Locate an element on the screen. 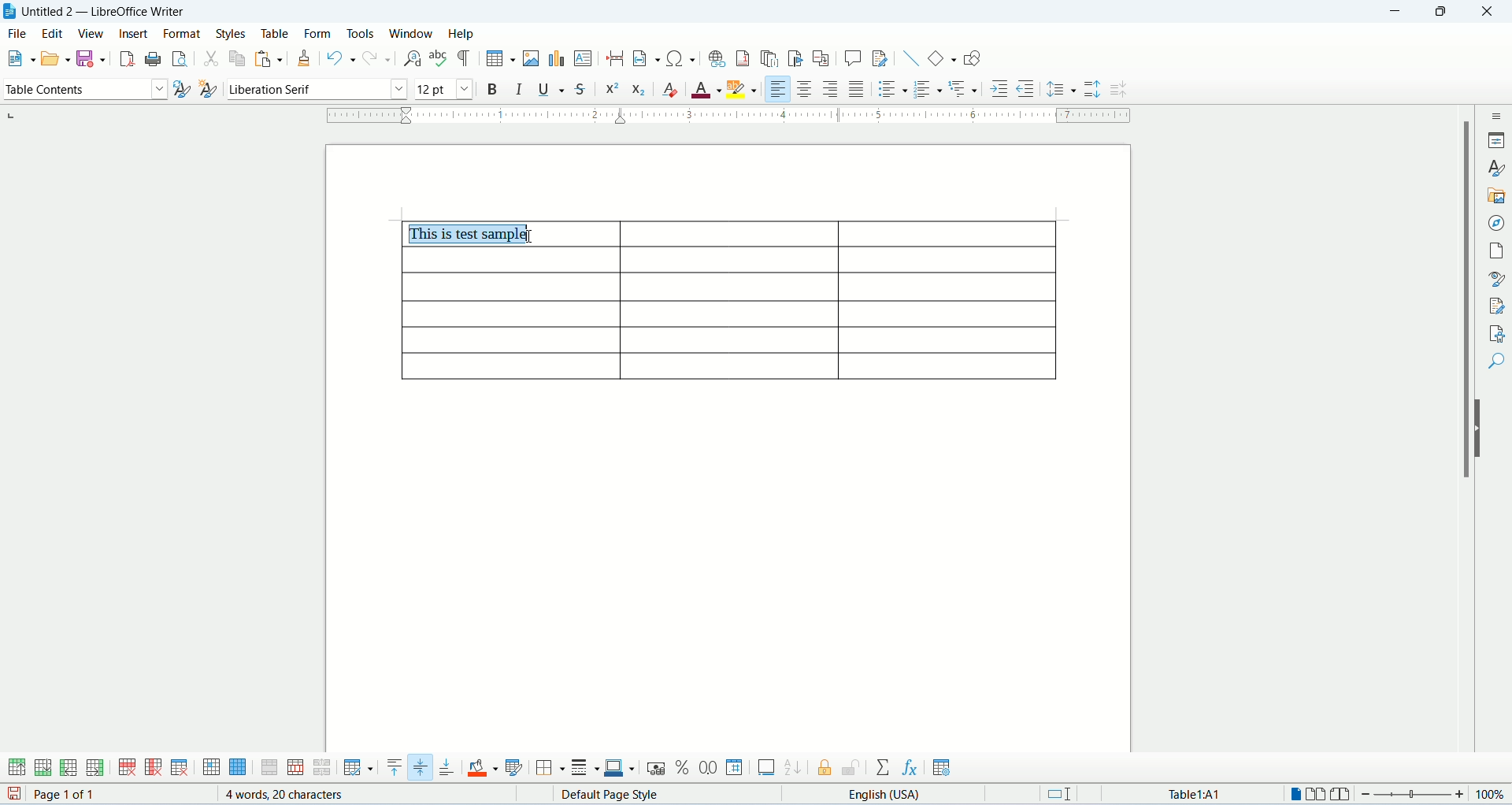  currency format is located at coordinates (656, 766).